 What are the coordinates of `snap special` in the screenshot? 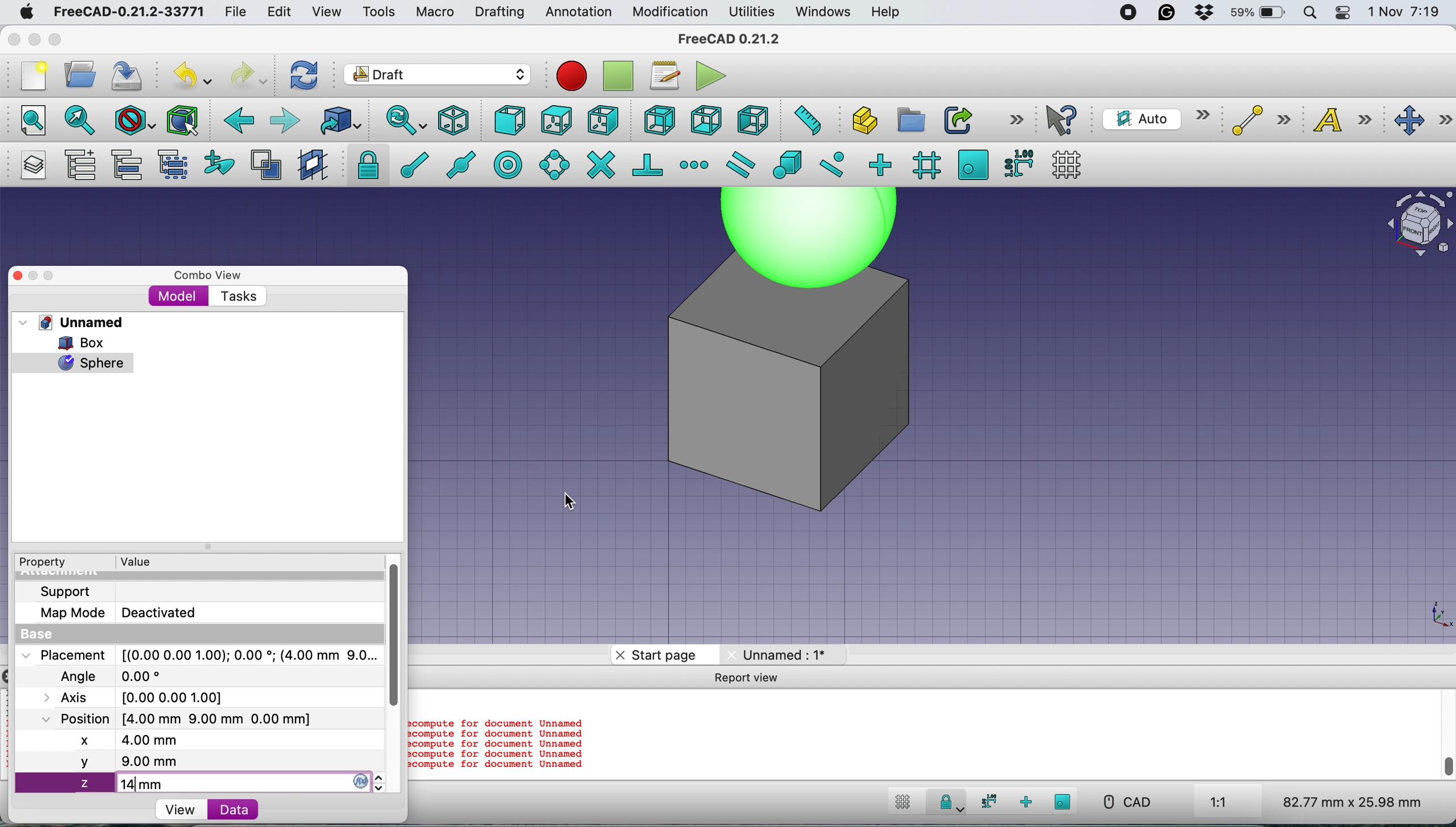 It's located at (787, 164).